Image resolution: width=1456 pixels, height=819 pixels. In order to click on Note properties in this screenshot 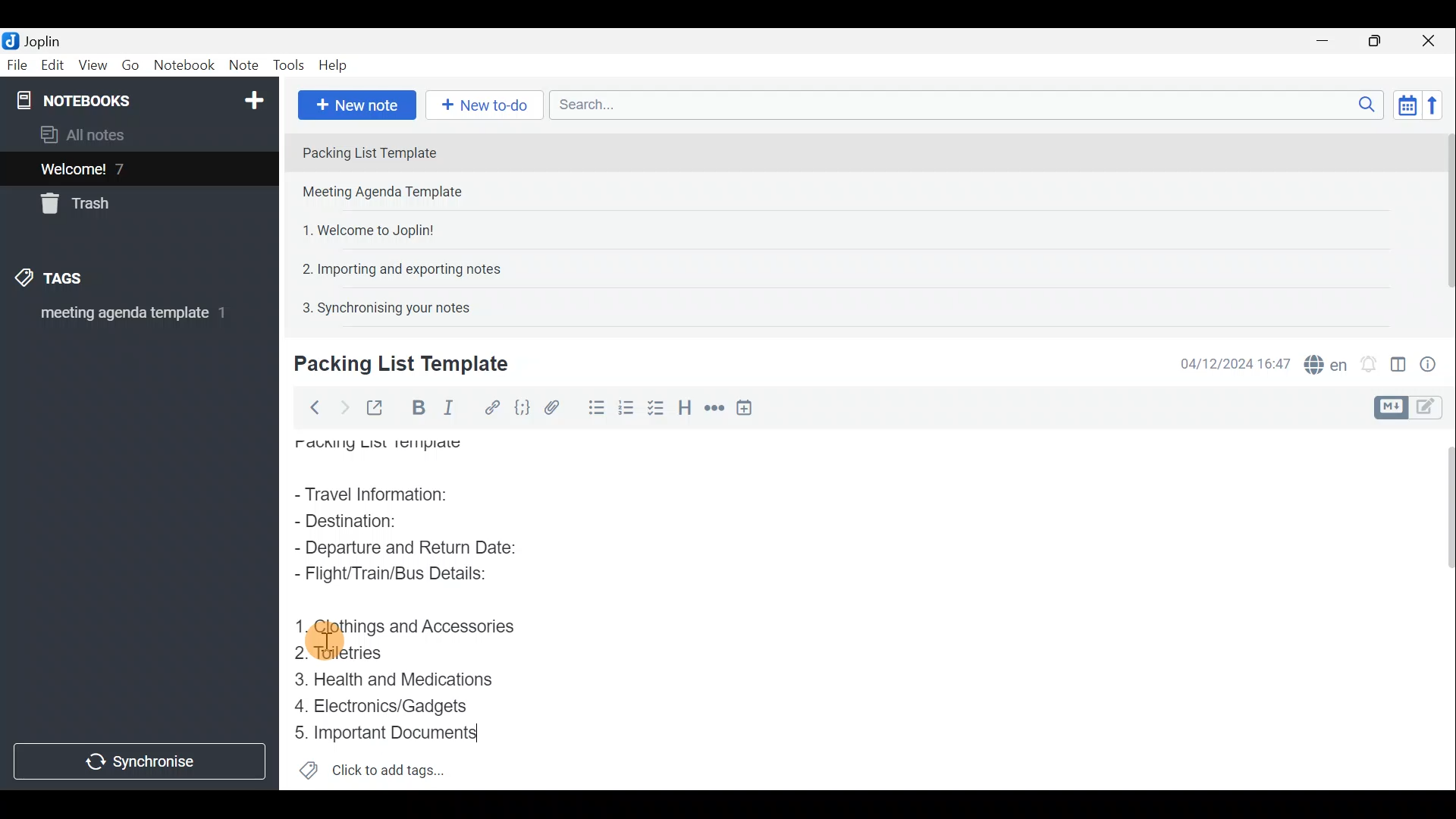, I will do `click(1433, 362)`.